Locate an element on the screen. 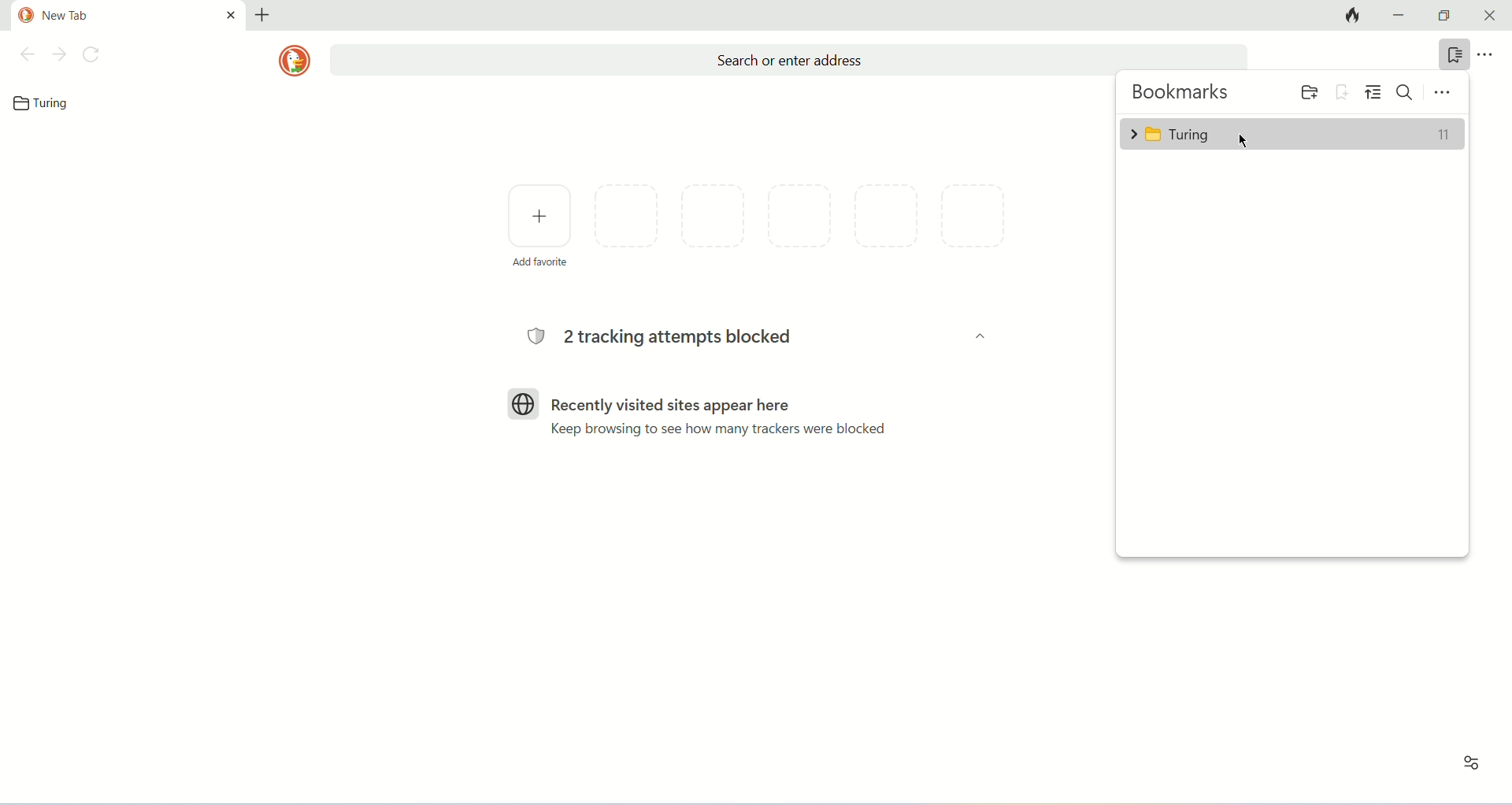 The image size is (1512, 805). home page settings is located at coordinates (1468, 769).